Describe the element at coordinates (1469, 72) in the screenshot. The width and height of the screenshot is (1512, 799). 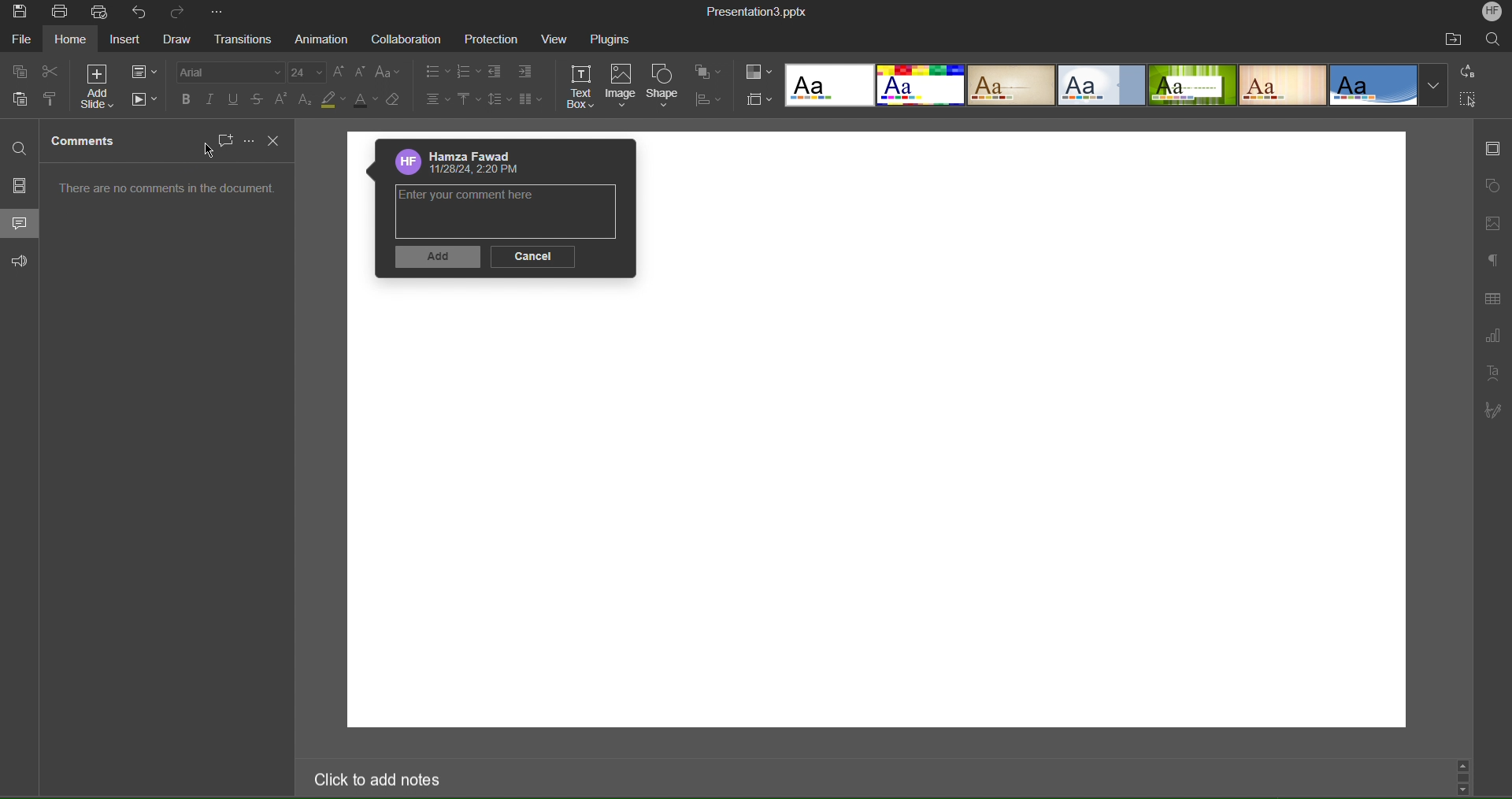
I see `Replace` at that location.